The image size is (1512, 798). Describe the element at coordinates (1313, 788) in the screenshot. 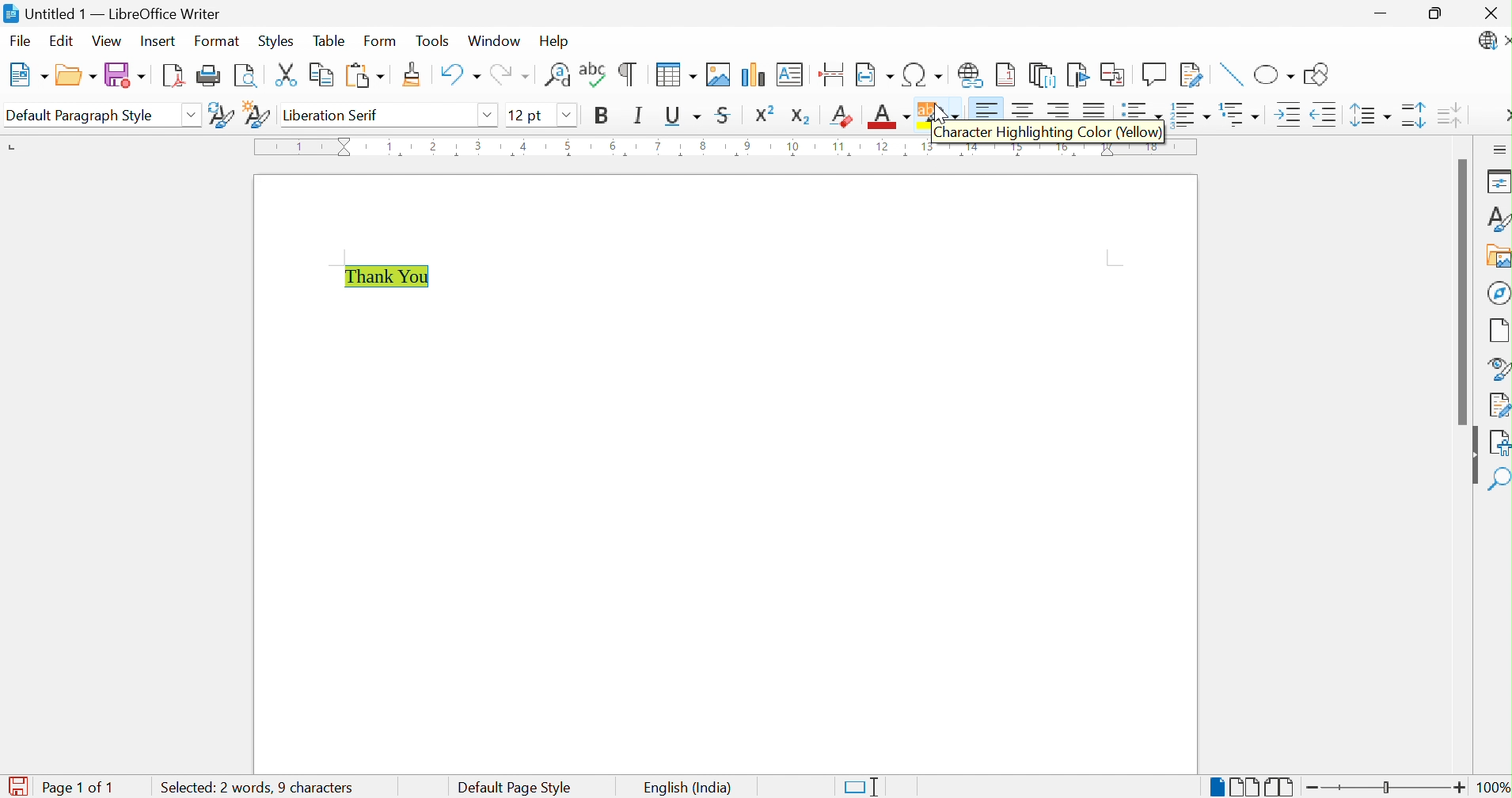

I see `Zoom Out` at that location.